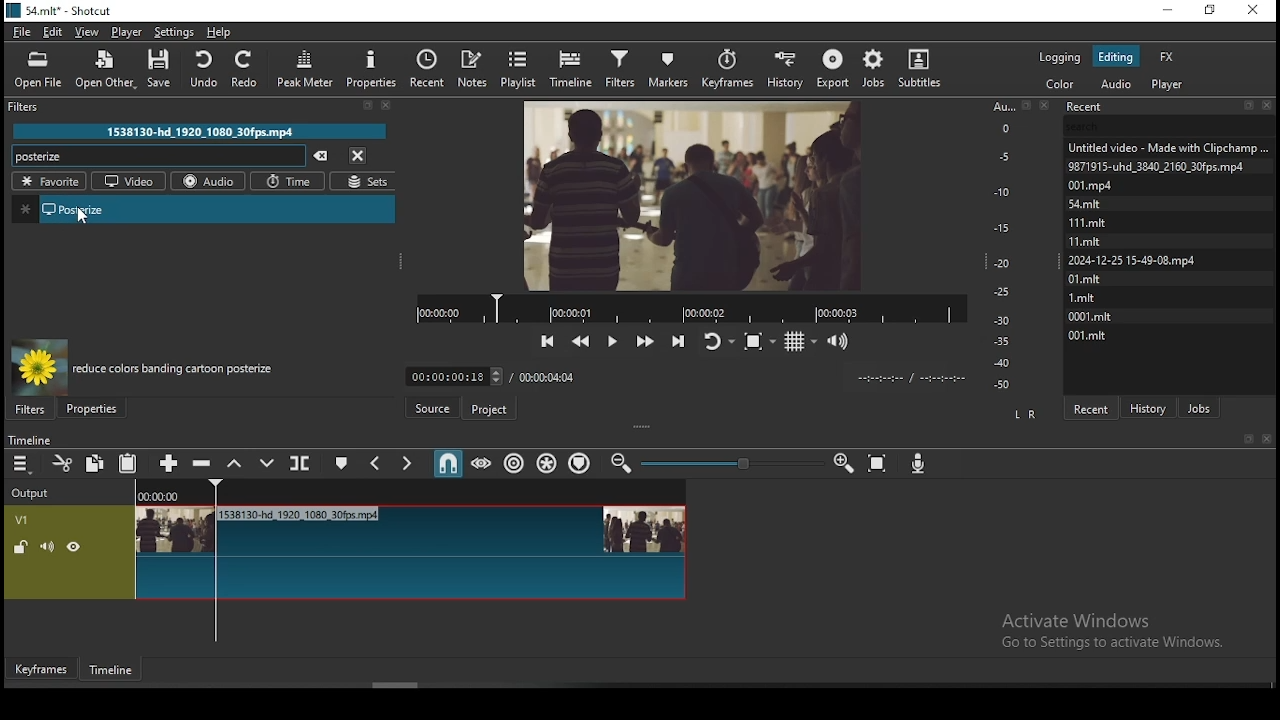 The image size is (1280, 720). I want to click on clear searches, so click(324, 156).